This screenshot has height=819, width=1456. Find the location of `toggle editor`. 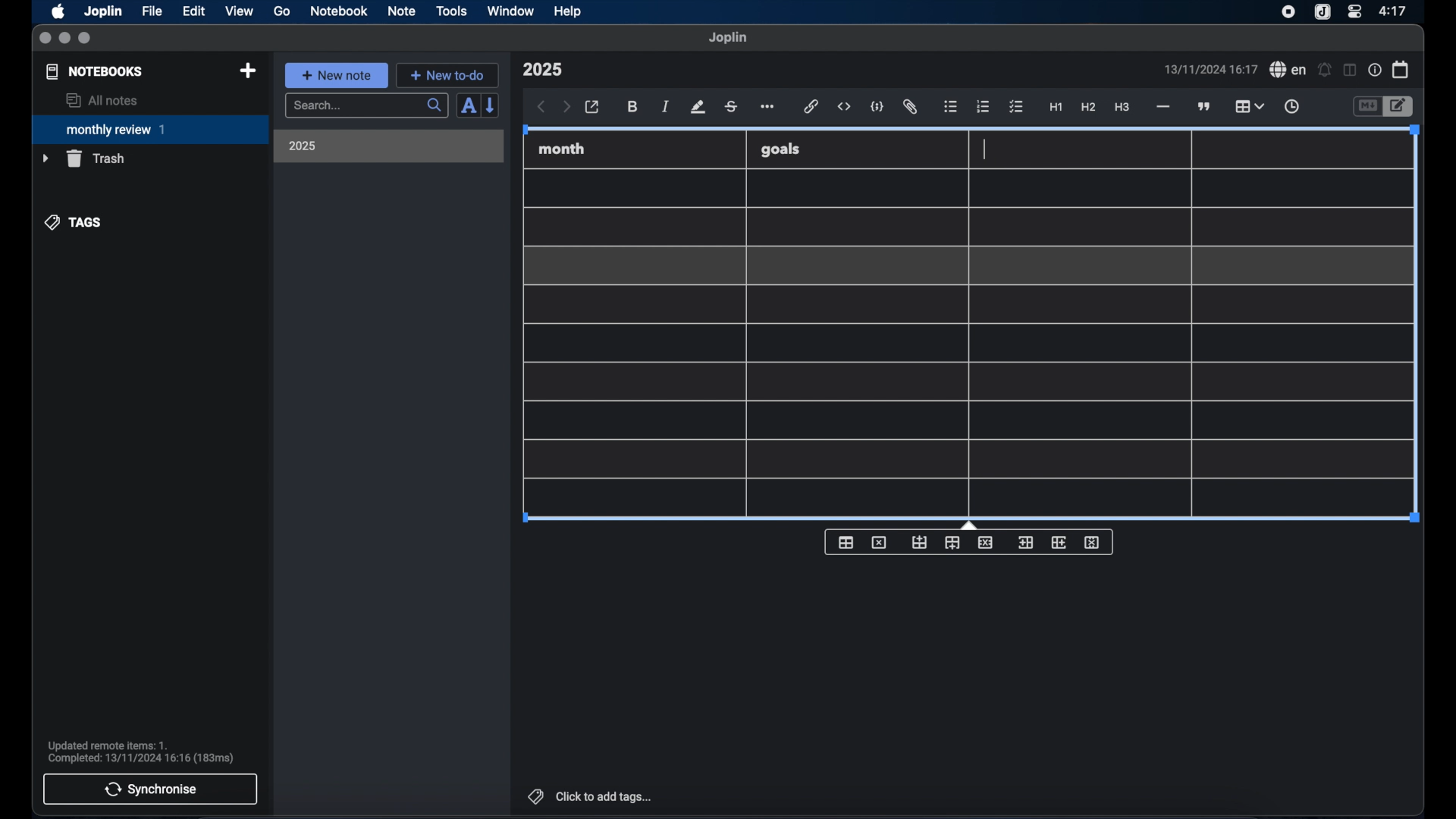

toggle editor is located at coordinates (1401, 107).